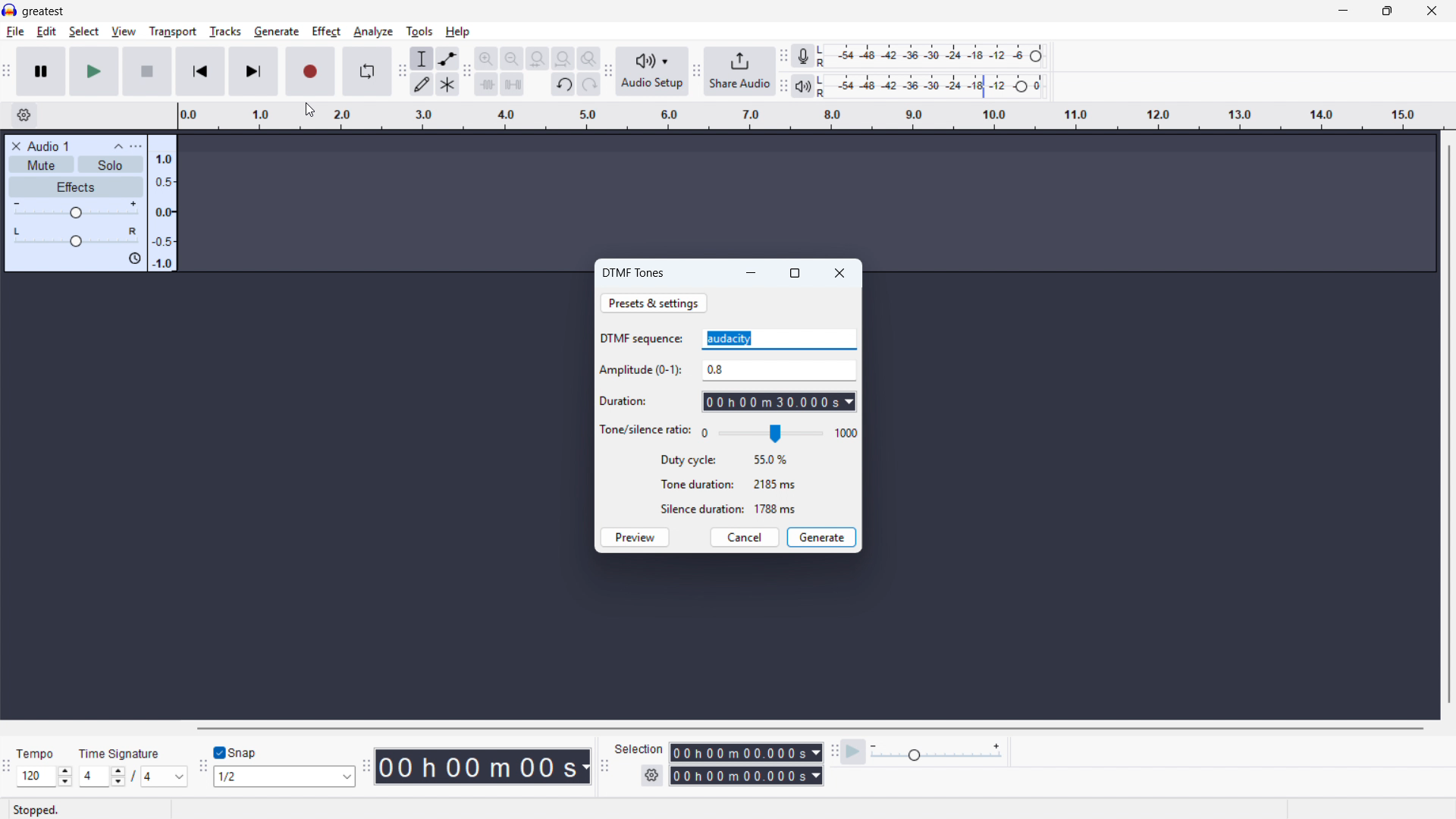  Describe the element at coordinates (44, 777) in the screenshot. I see `Set tempo ` at that location.